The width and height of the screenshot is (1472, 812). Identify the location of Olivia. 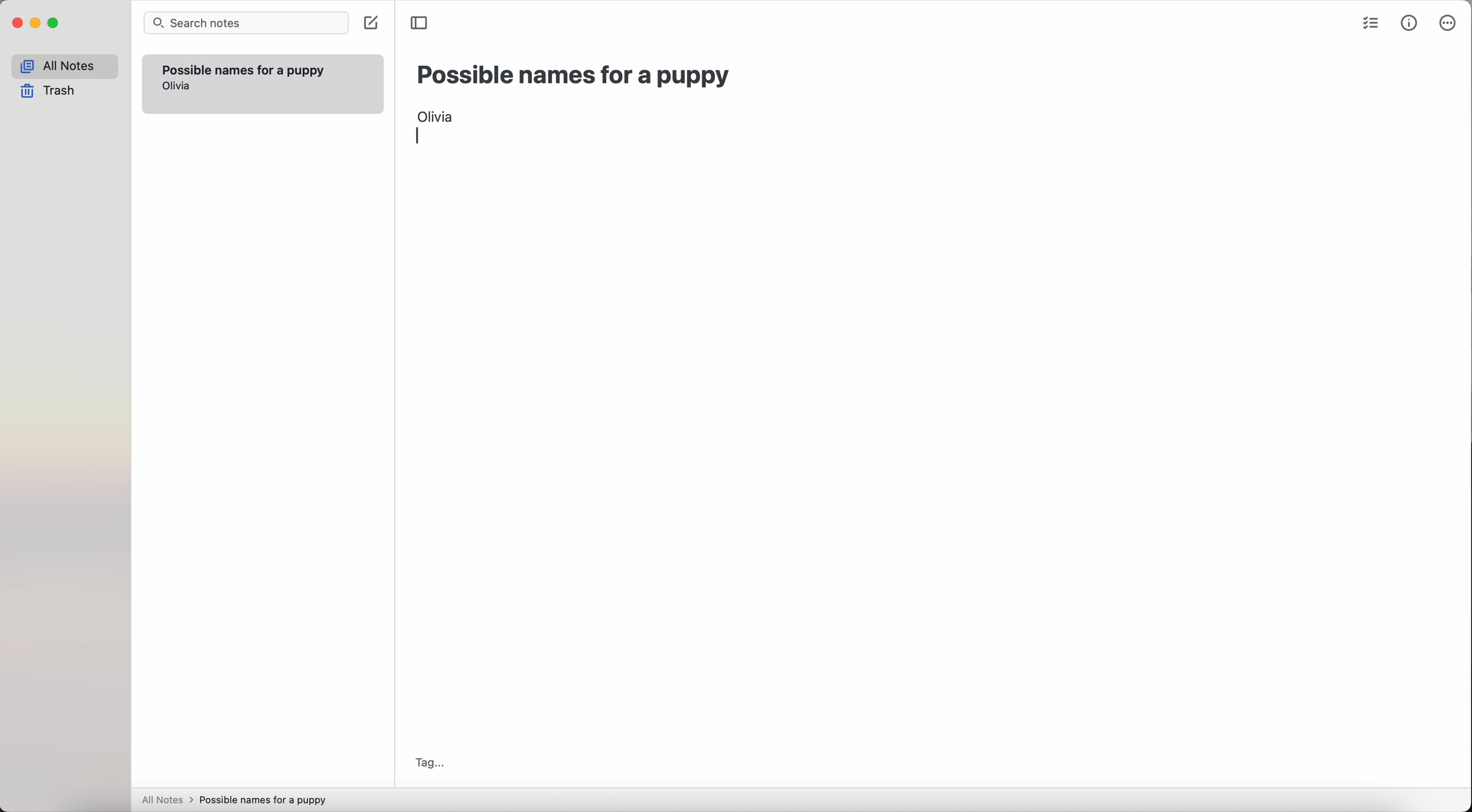
(436, 114).